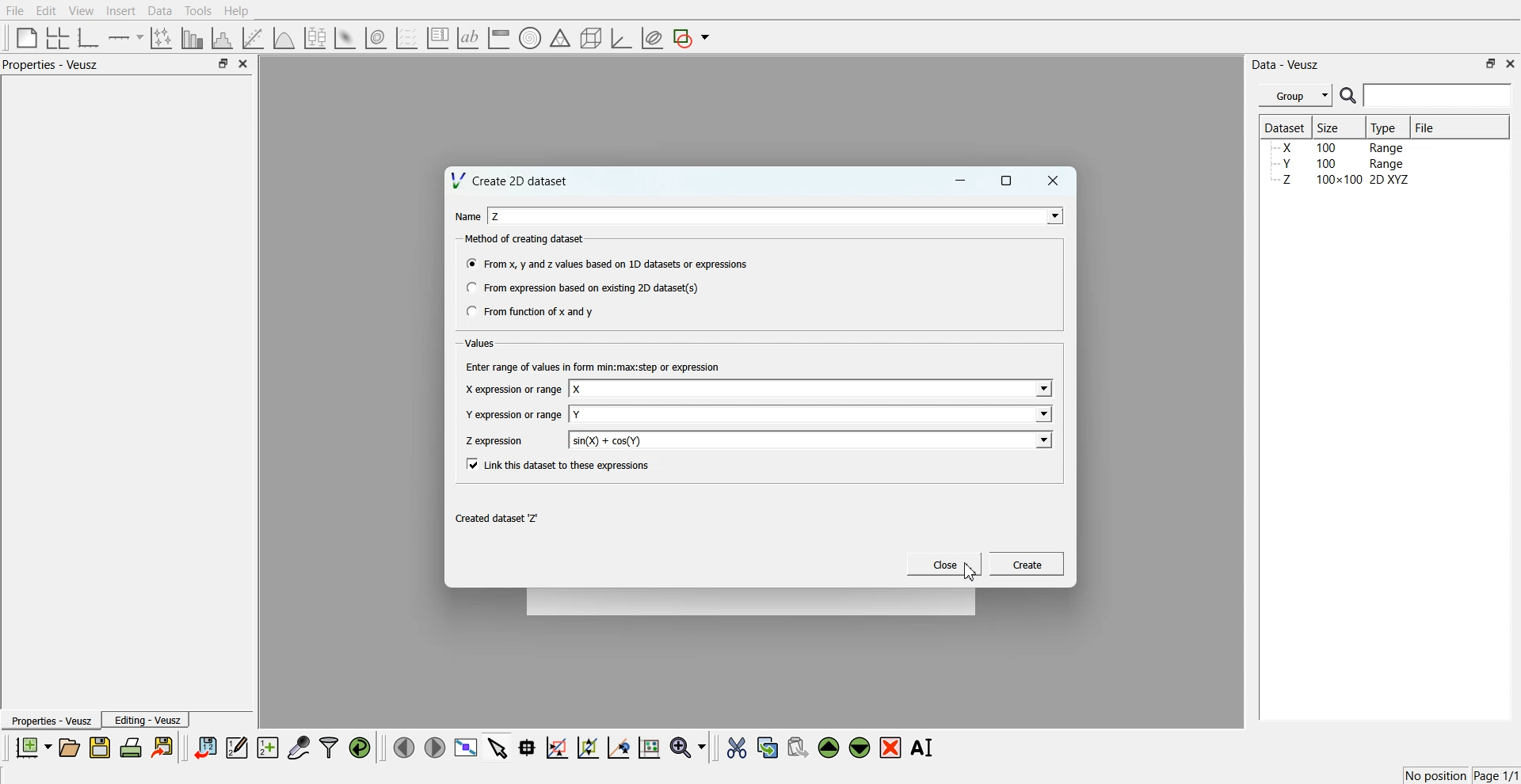 This screenshot has height=784, width=1521. I want to click on 3D Graph, so click(621, 38).